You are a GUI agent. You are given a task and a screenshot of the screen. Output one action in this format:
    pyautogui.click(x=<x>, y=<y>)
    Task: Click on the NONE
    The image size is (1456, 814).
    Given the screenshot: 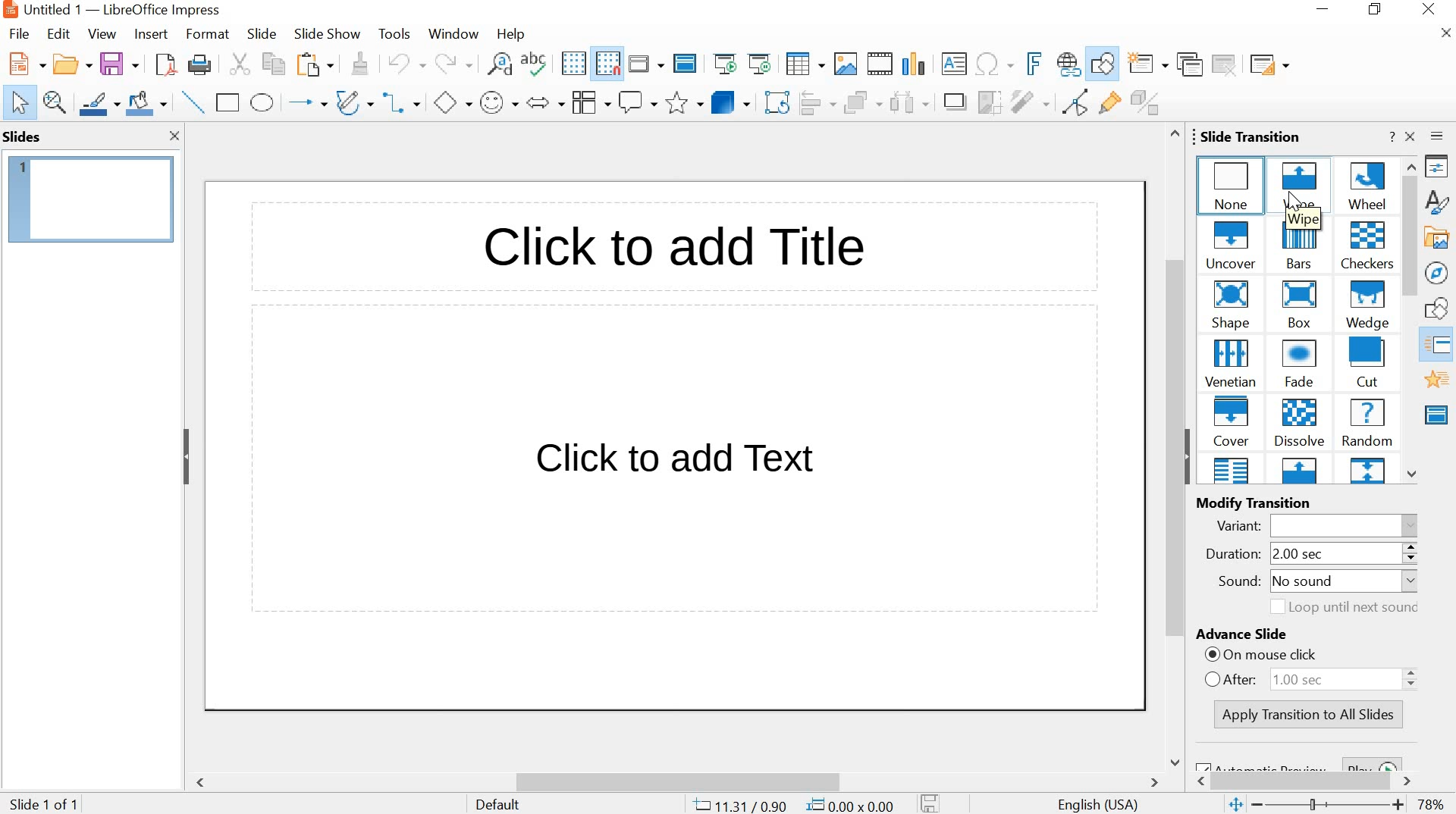 What is the action you would take?
    pyautogui.click(x=1232, y=183)
    